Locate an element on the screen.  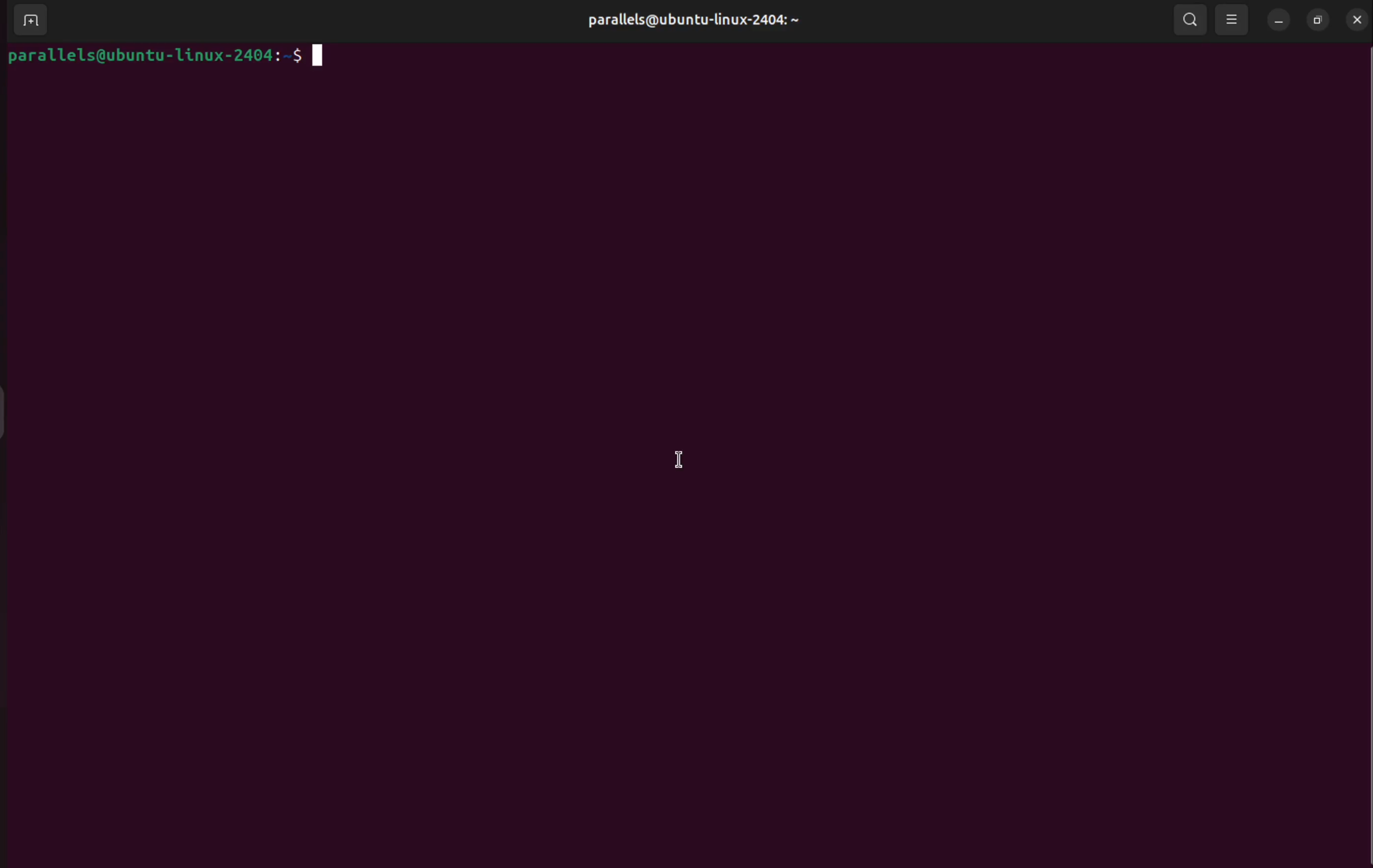
resize is located at coordinates (1318, 19).